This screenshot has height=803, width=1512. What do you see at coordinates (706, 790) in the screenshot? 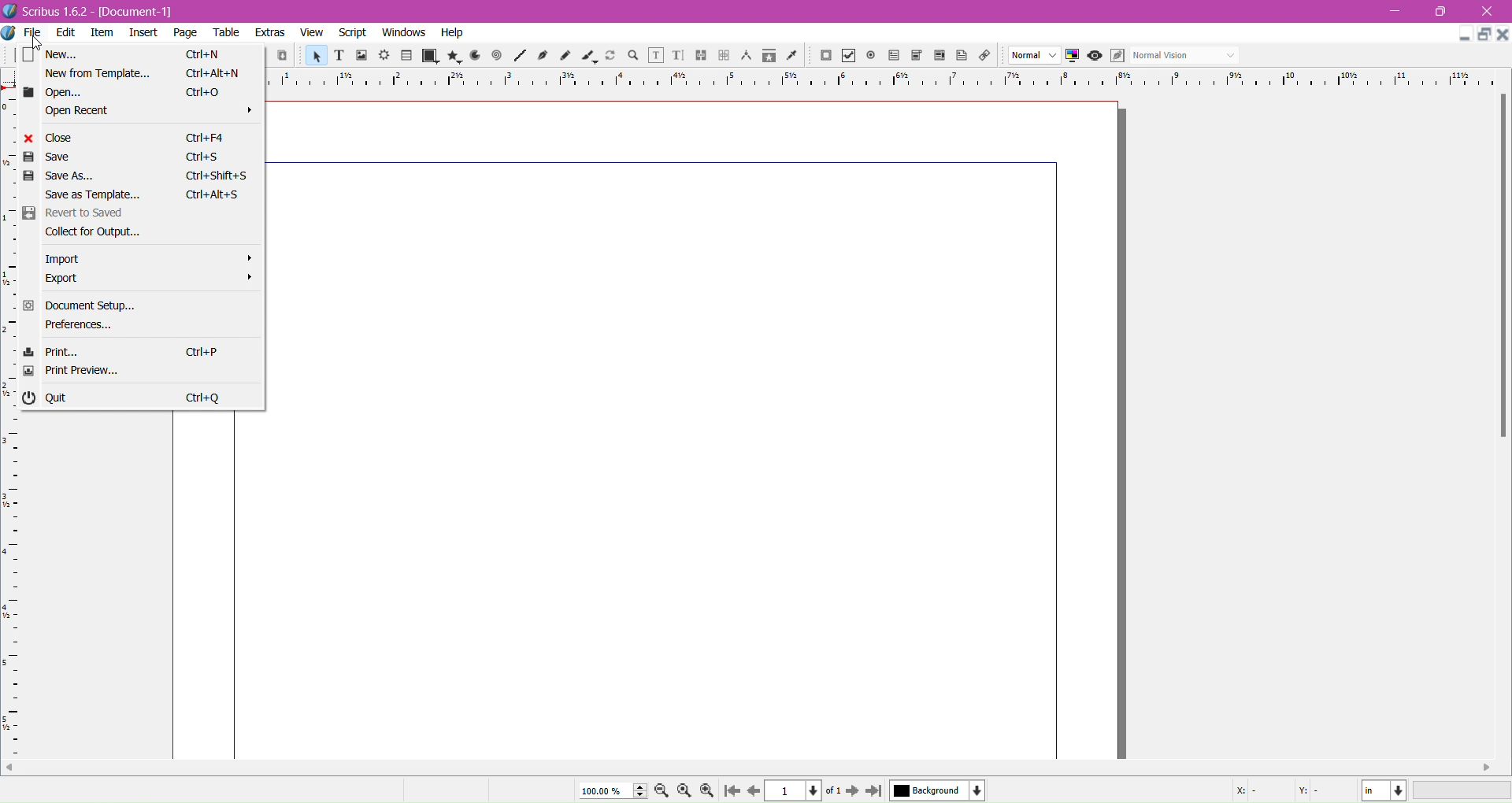
I see `Zoom in by the stepping value in the Tools preferences` at bounding box center [706, 790].